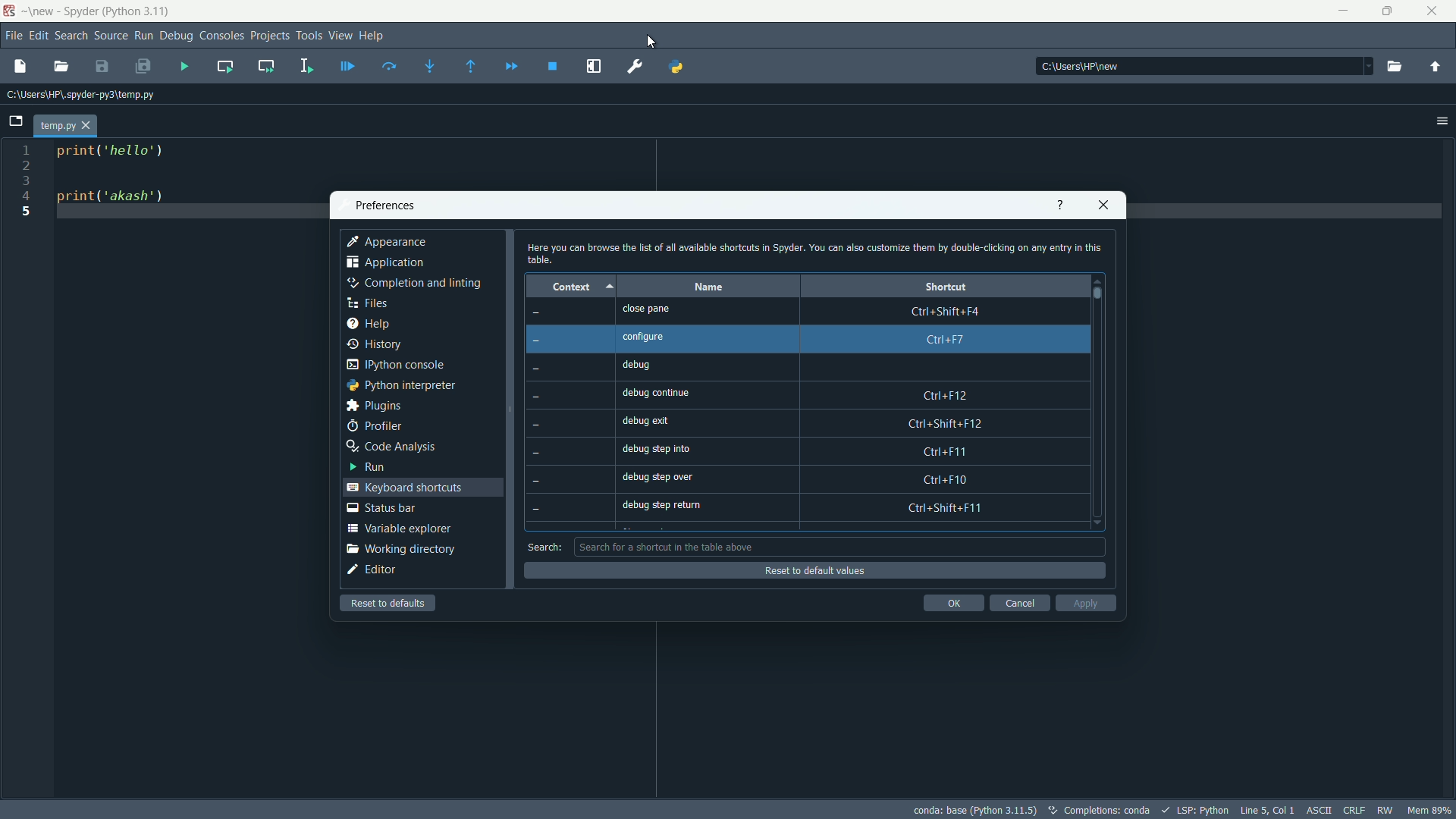 The height and width of the screenshot is (819, 1456). I want to click on debug, so click(817, 367).